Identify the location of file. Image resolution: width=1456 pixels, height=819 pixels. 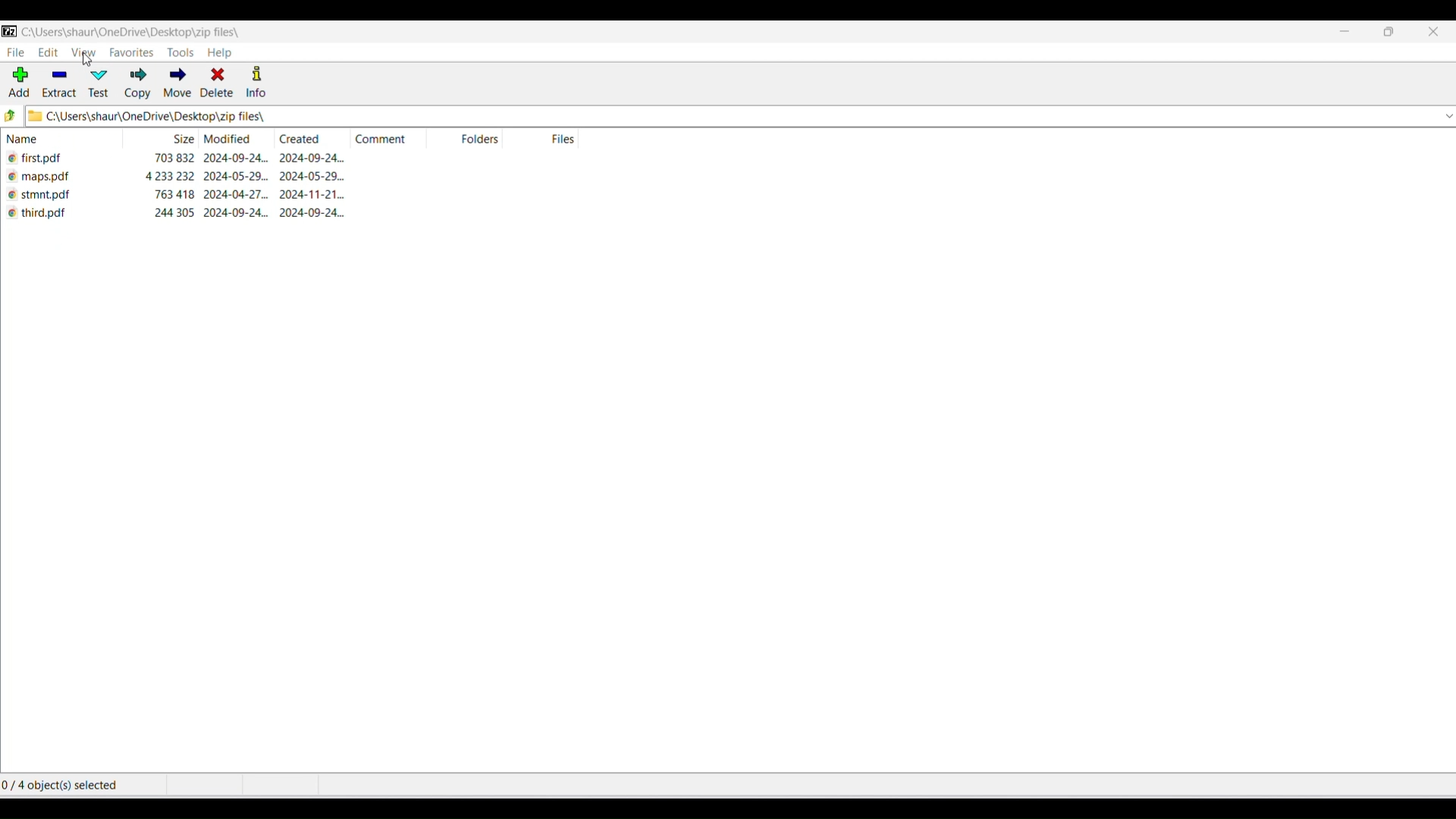
(16, 53).